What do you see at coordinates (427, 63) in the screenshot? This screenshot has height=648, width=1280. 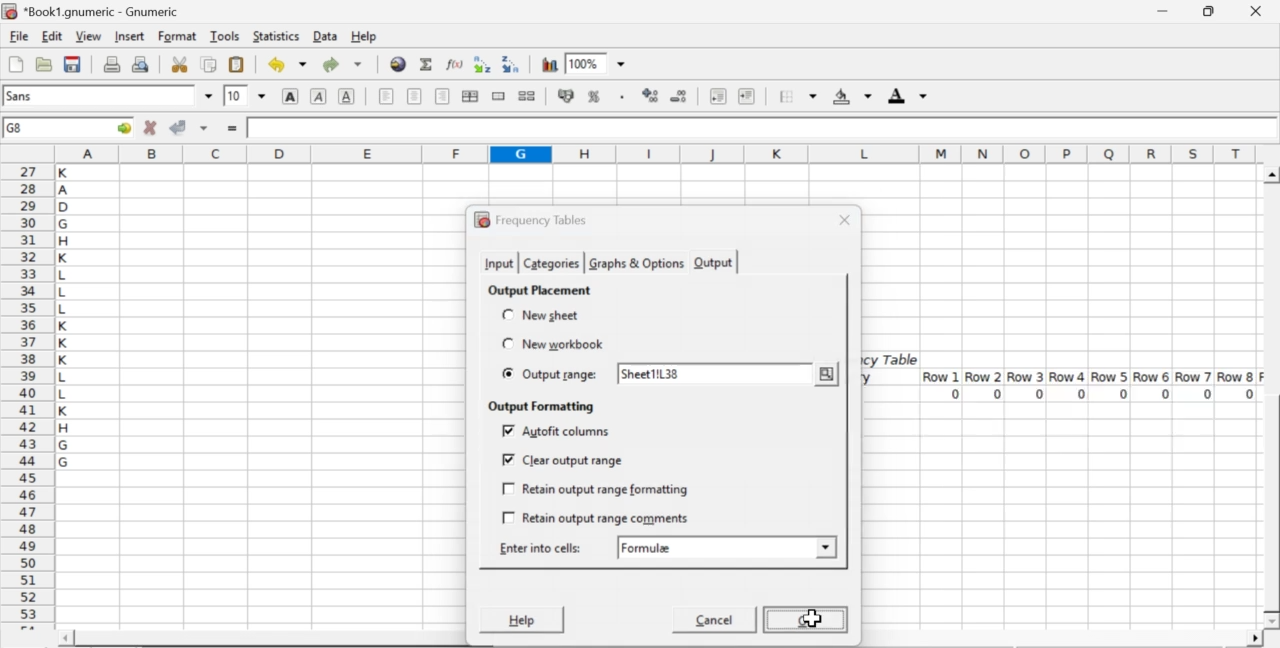 I see `sum in current cell` at bounding box center [427, 63].